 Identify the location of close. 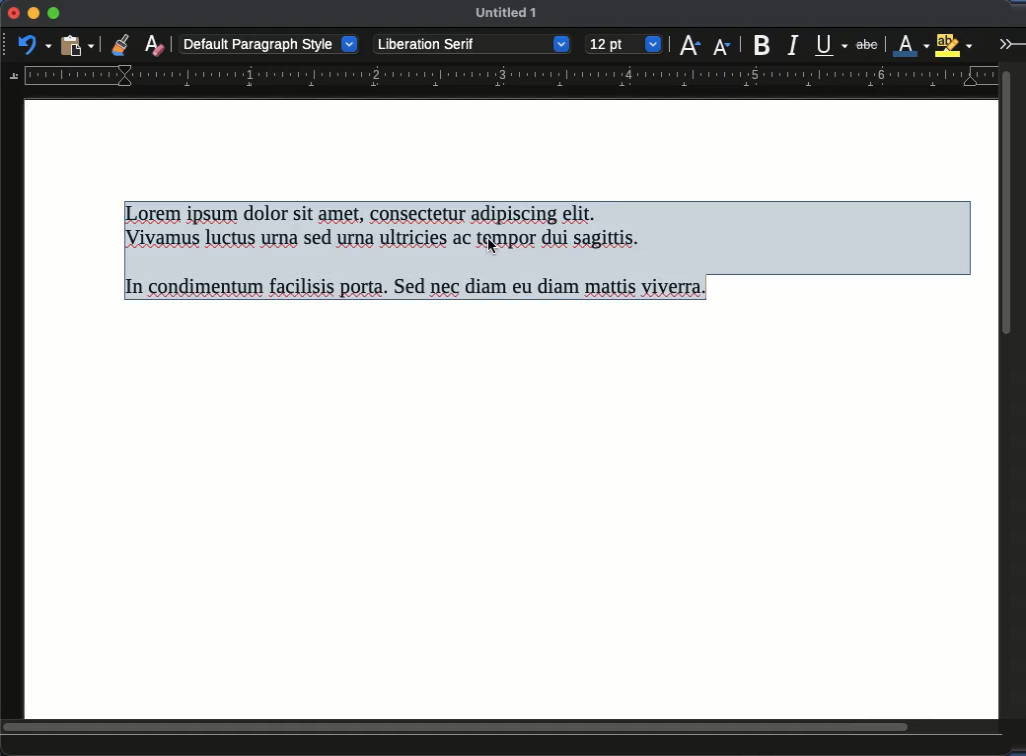
(12, 14).